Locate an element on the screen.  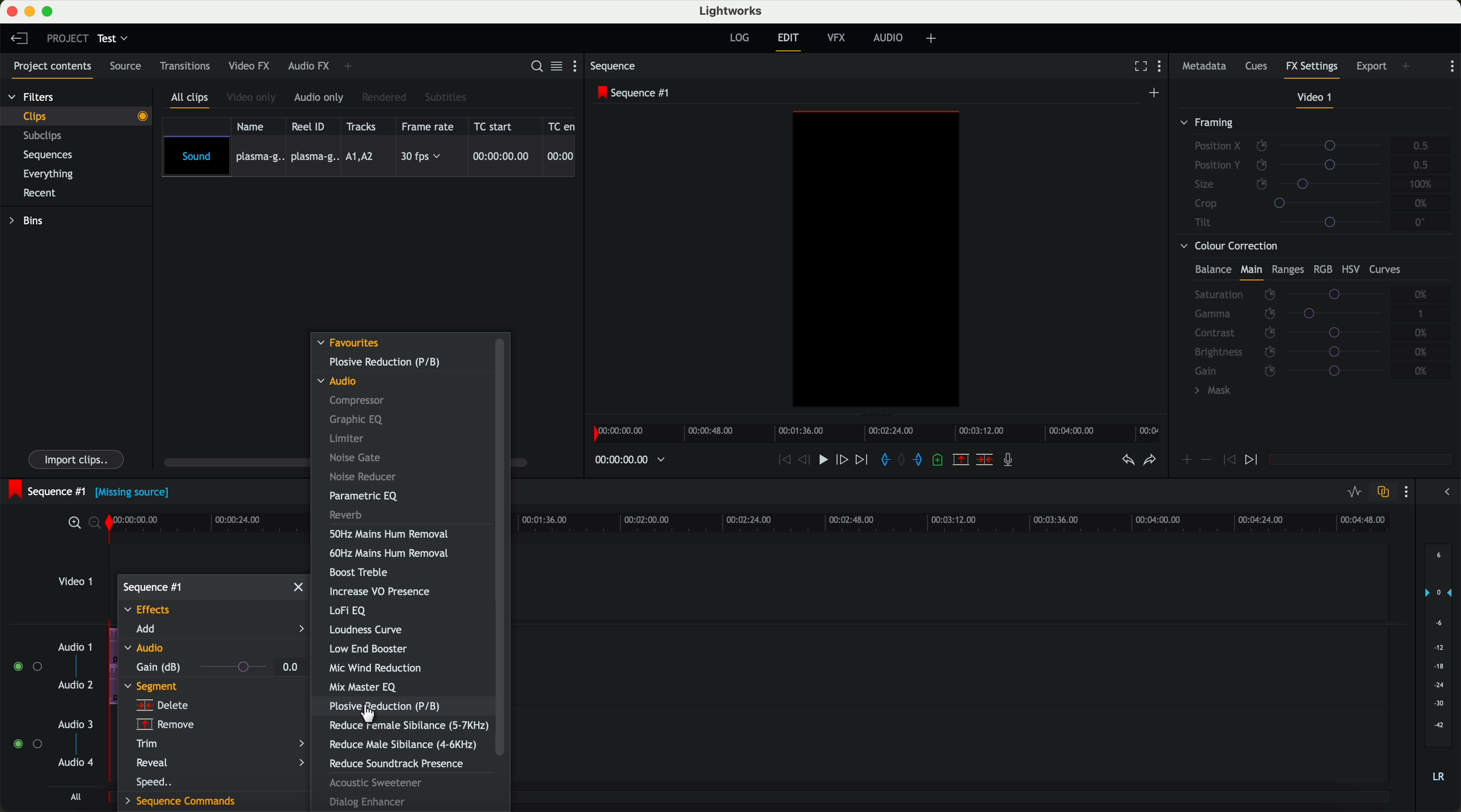
clip is located at coordinates (83, 116).